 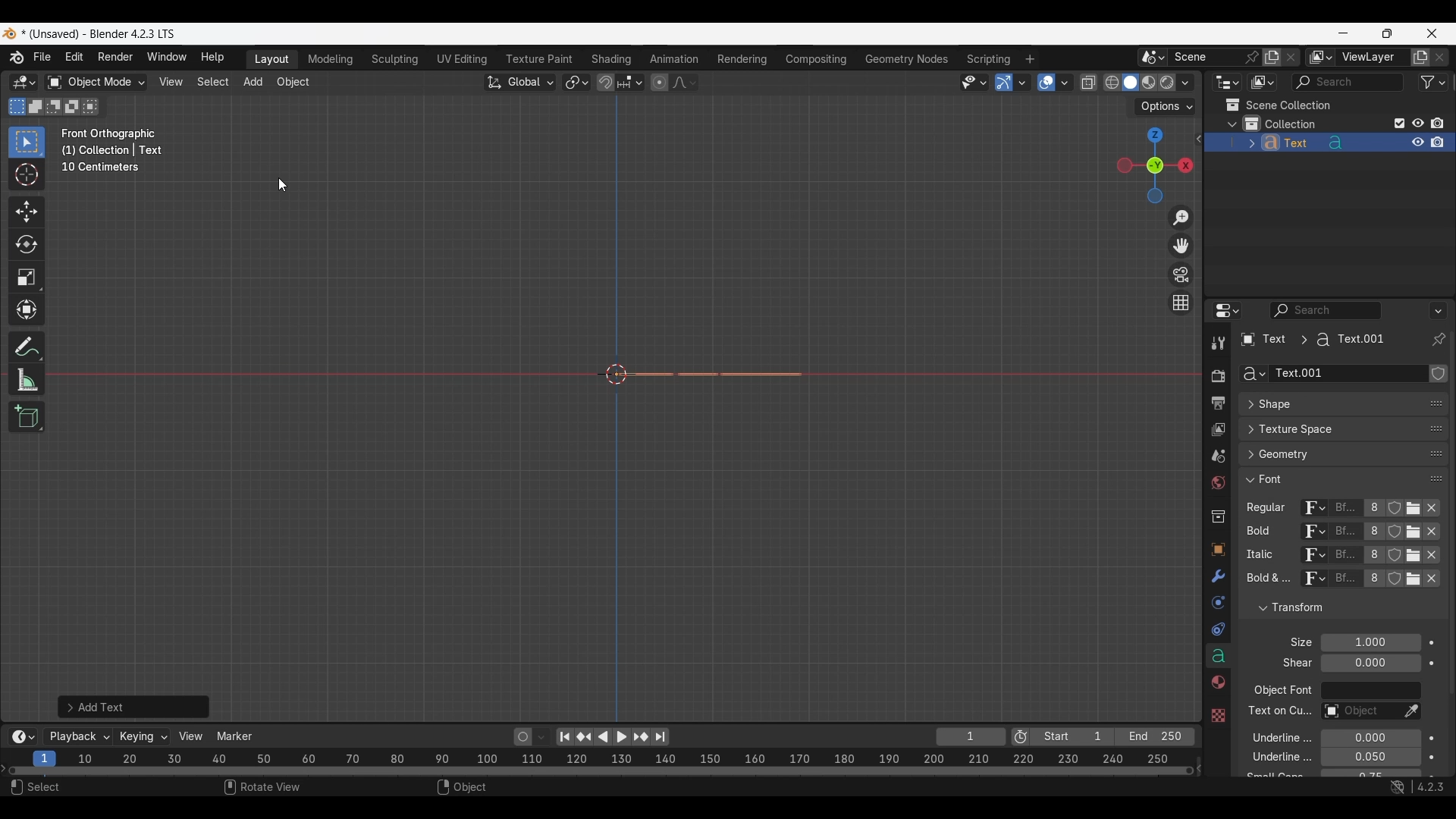 I want to click on Collection, so click(x=1217, y=516).